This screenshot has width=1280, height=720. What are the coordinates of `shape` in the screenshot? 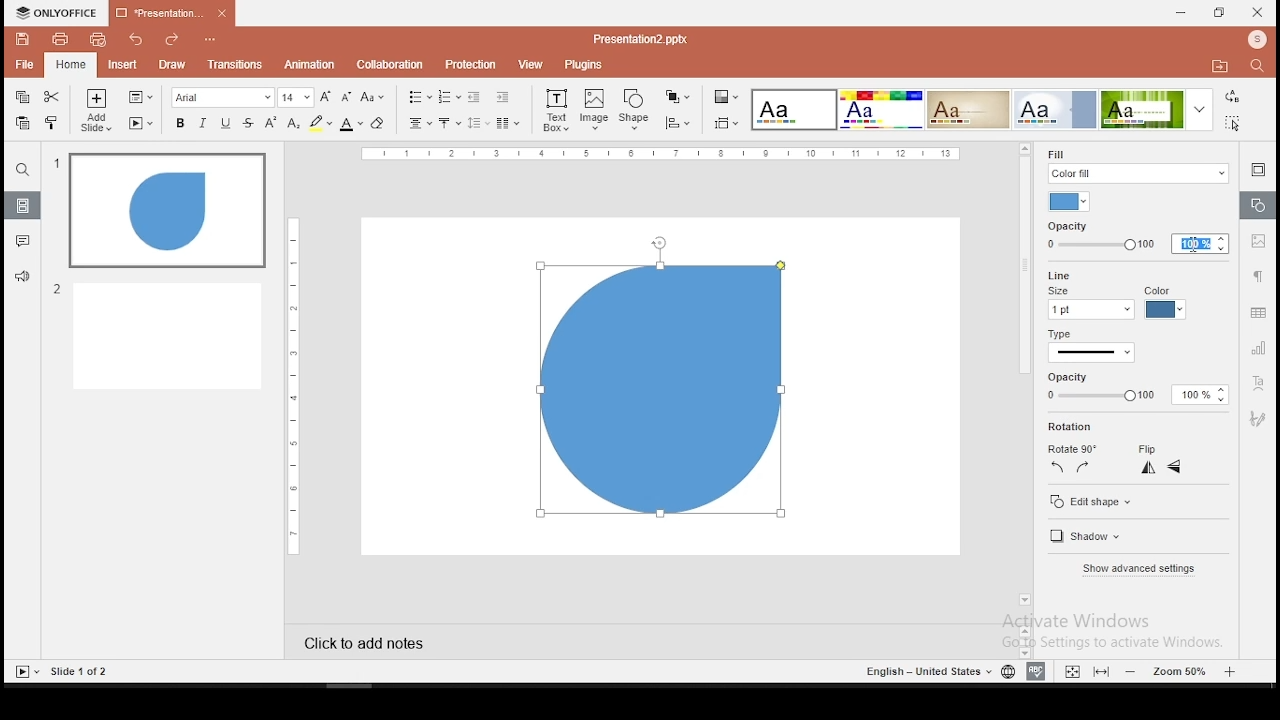 It's located at (663, 397).